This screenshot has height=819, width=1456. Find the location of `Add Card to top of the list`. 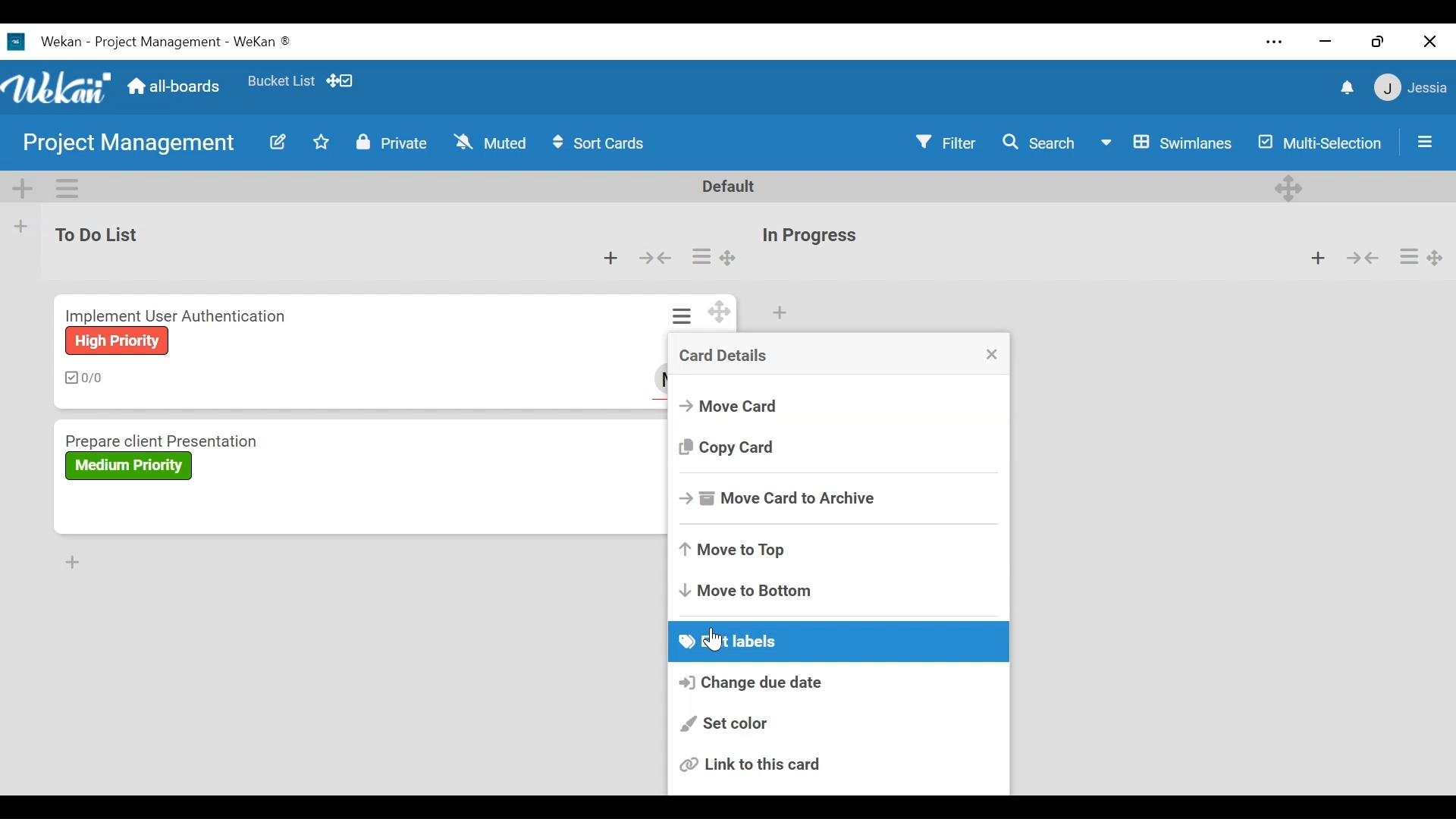

Add Card to top of the list is located at coordinates (780, 313).